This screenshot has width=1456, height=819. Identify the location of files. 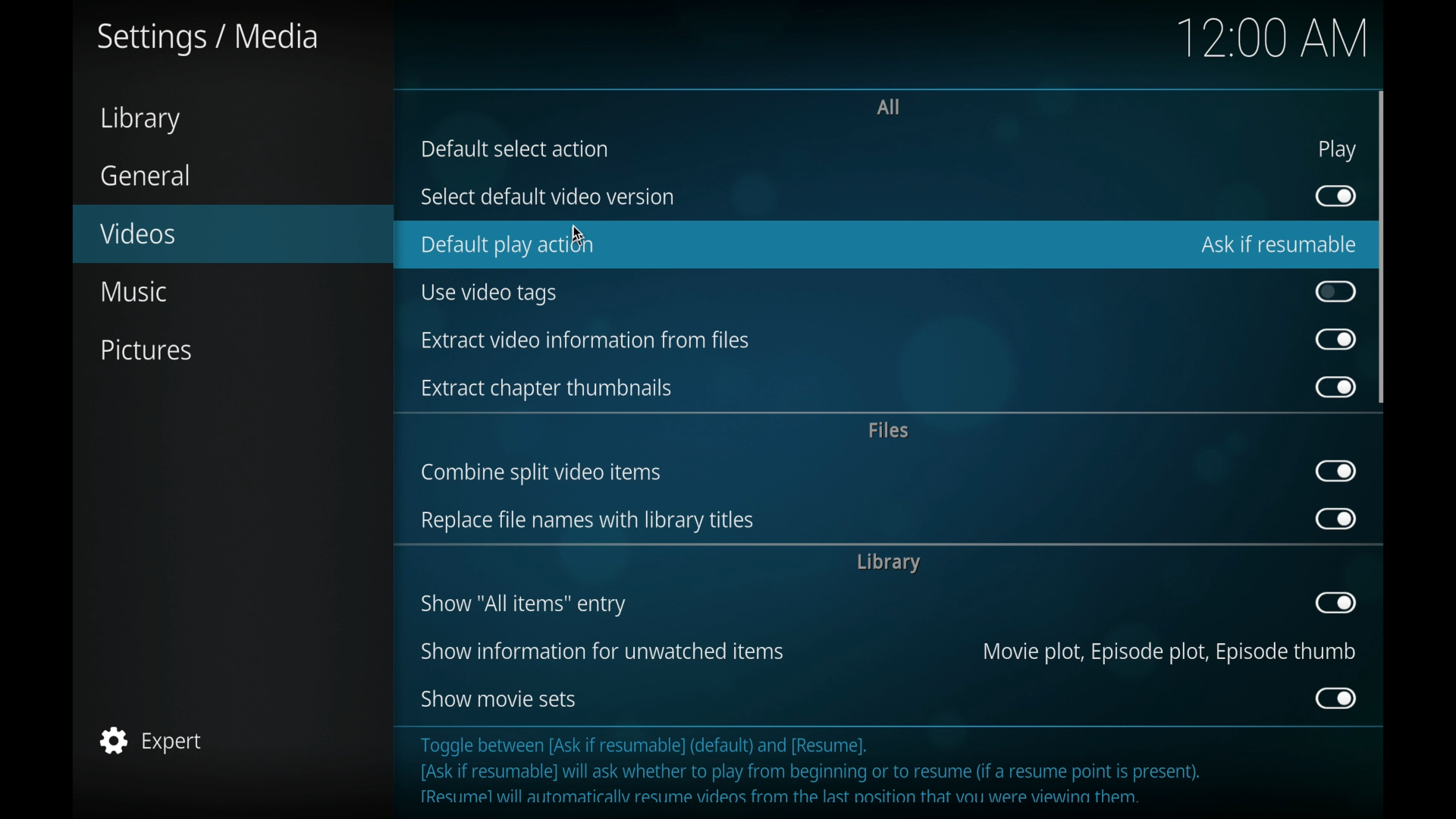
(890, 429).